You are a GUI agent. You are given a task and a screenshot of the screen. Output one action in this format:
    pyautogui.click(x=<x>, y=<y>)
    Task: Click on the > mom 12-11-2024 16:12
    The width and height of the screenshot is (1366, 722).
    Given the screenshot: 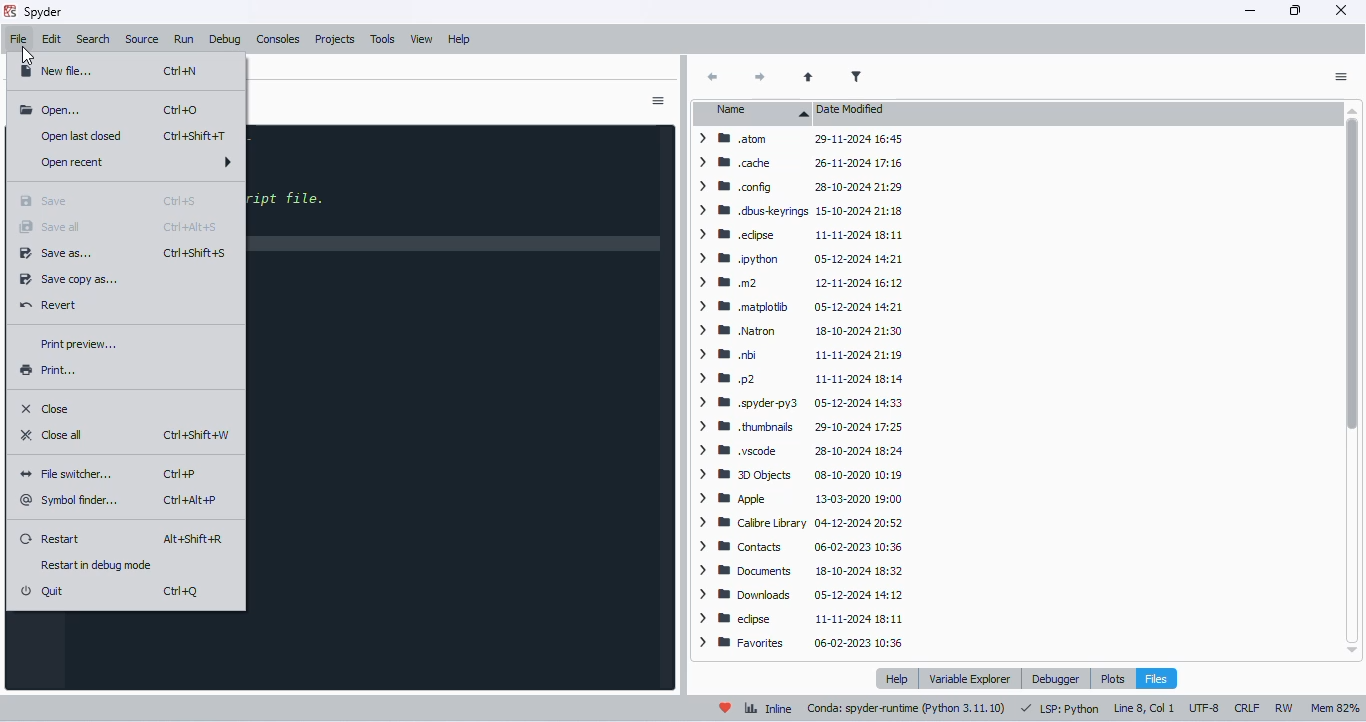 What is the action you would take?
    pyautogui.click(x=797, y=281)
    